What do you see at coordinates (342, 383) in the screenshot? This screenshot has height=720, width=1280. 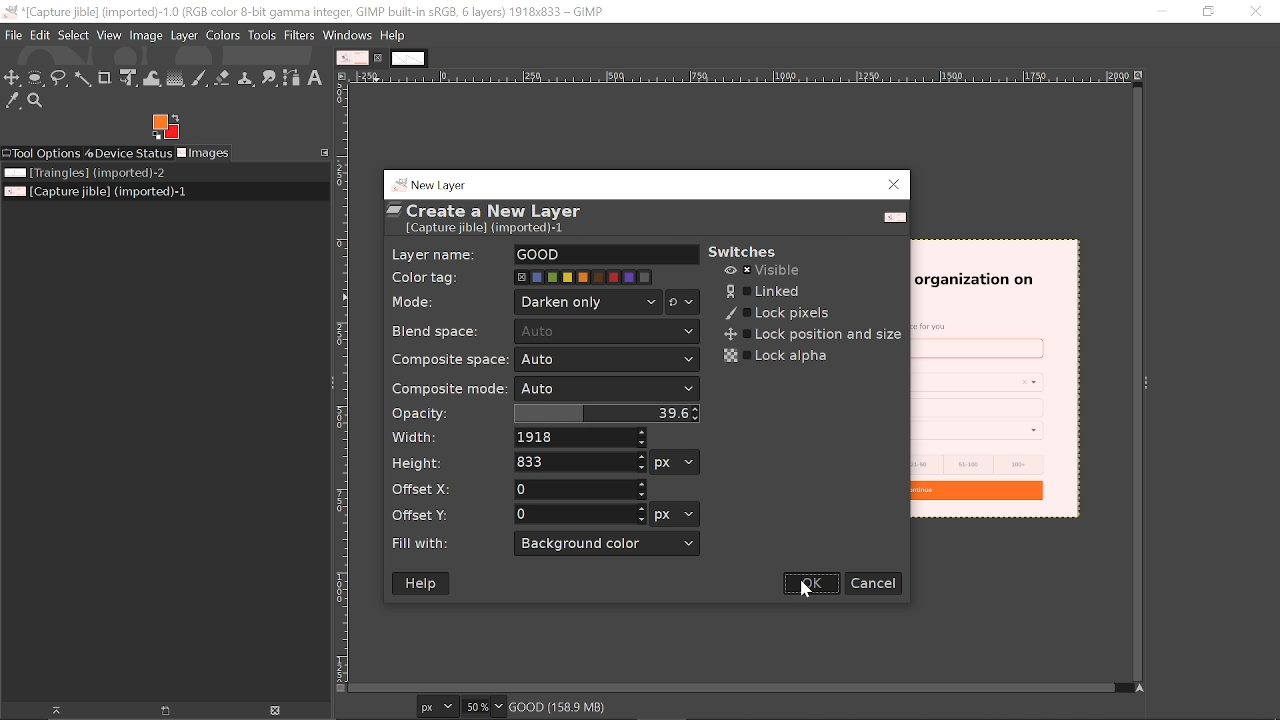 I see `Vertical label` at bounding box center [342, 383].